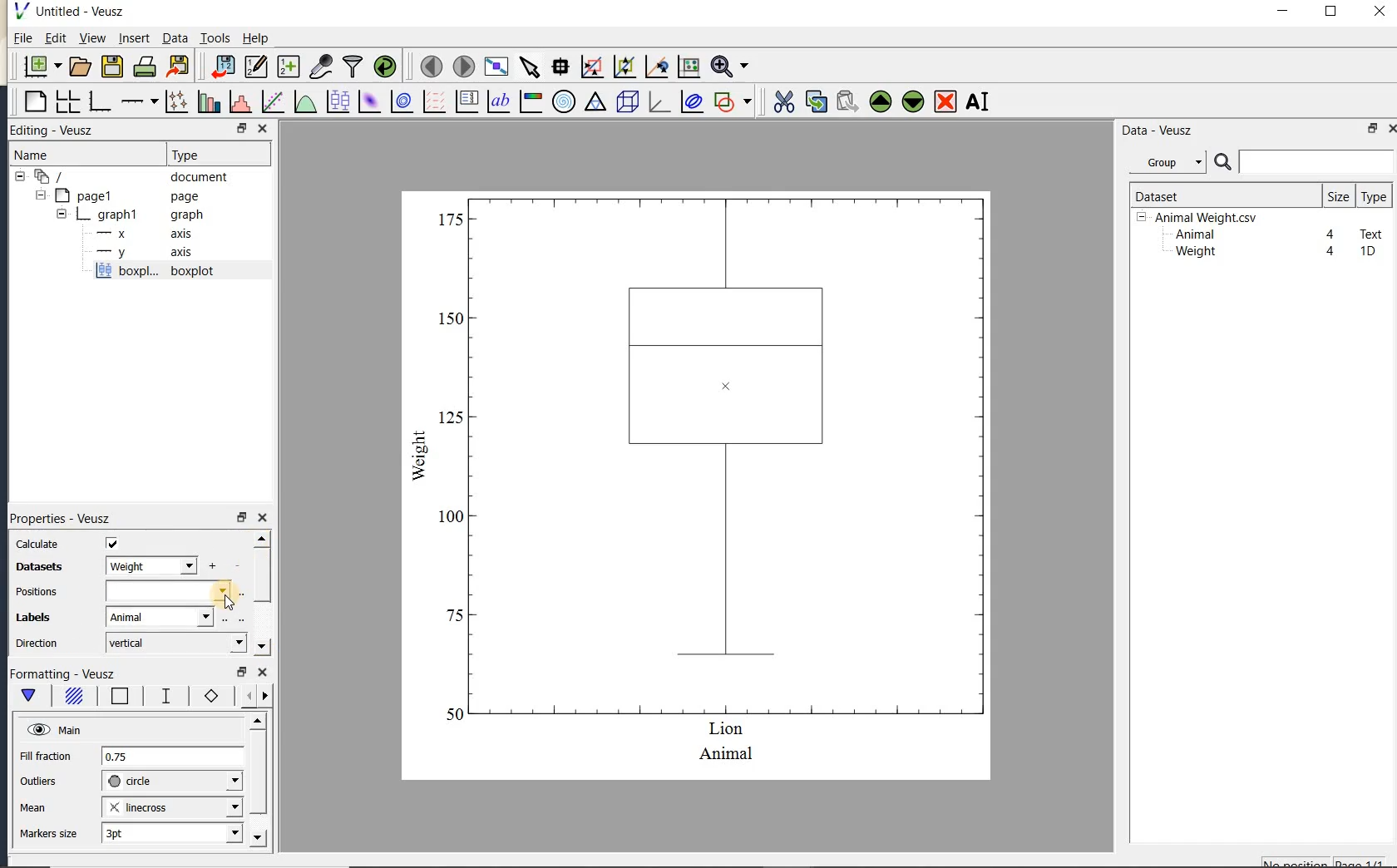 This screenshot has height=868, width=1397. Describe the element at coordinates (145, 67) in the screenshot. I see `print the document` at that location.